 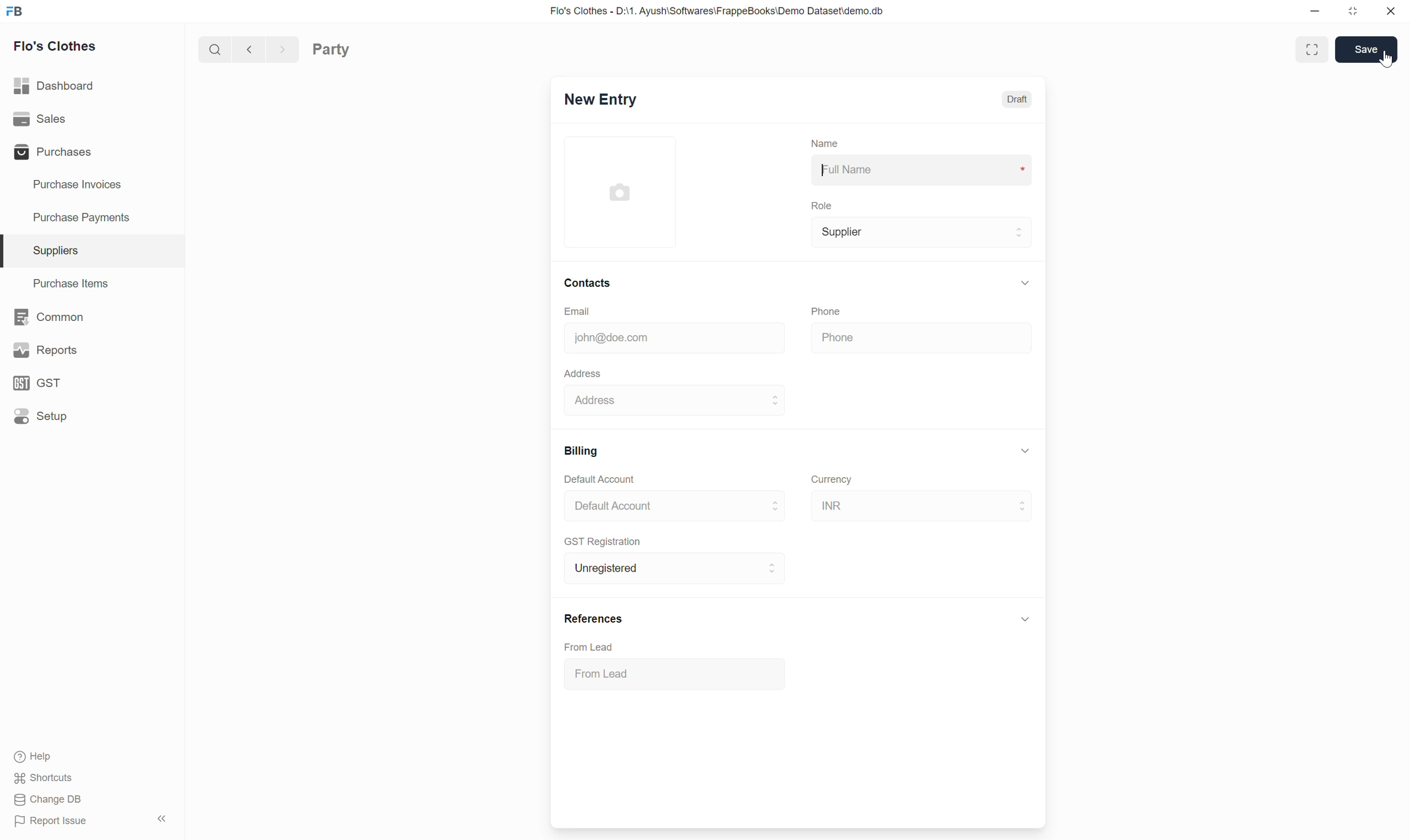 What do you see at coordinates (50, 799) in the screenshot?
I see `Change DB` at bounding box center [50, 799].